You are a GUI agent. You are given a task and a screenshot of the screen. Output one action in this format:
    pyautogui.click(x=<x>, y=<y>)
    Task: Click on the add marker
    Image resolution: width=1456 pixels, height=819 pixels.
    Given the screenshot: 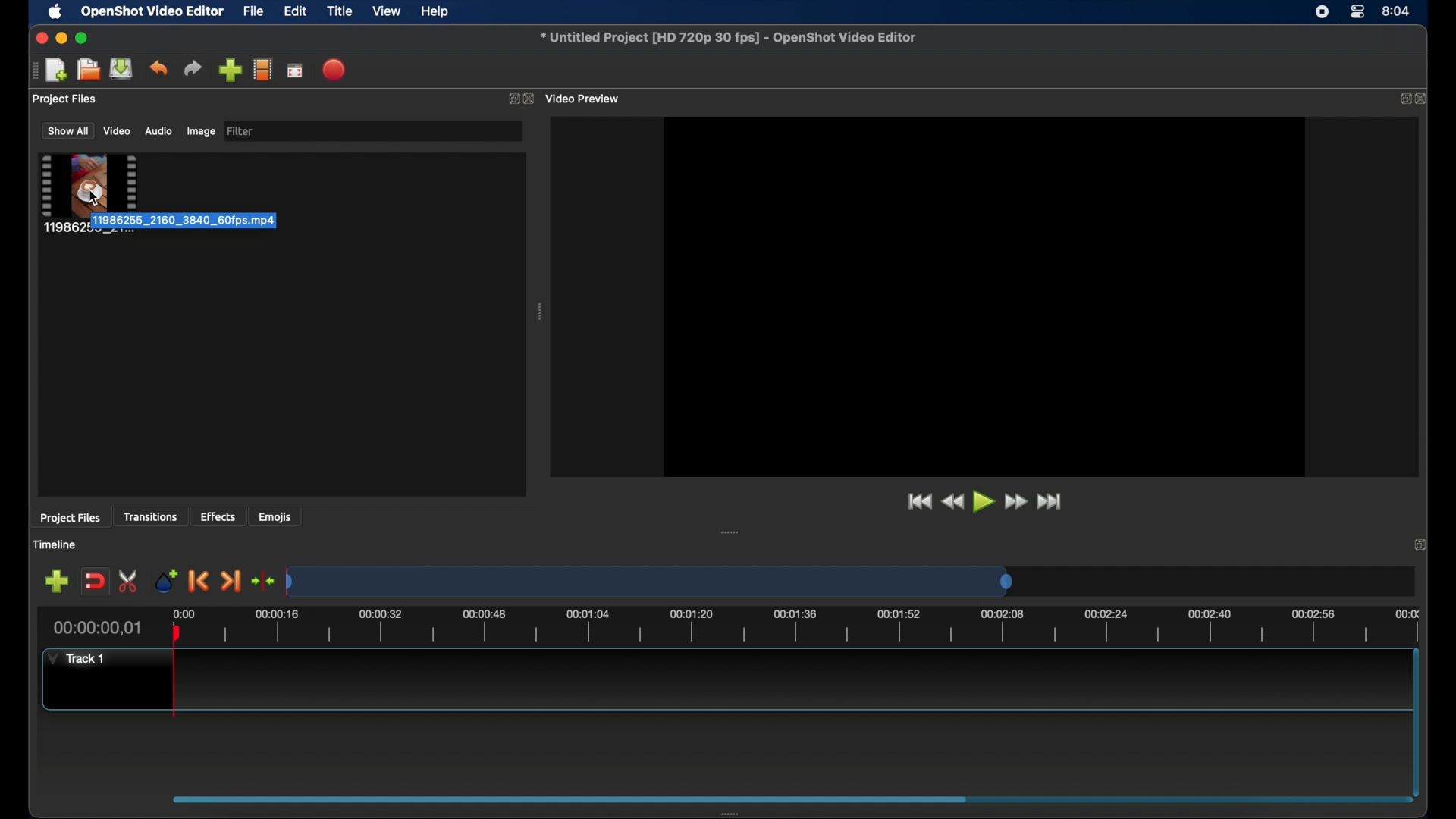 What is the action you would take?
    pyautogui.click(x=167, y=581)
    